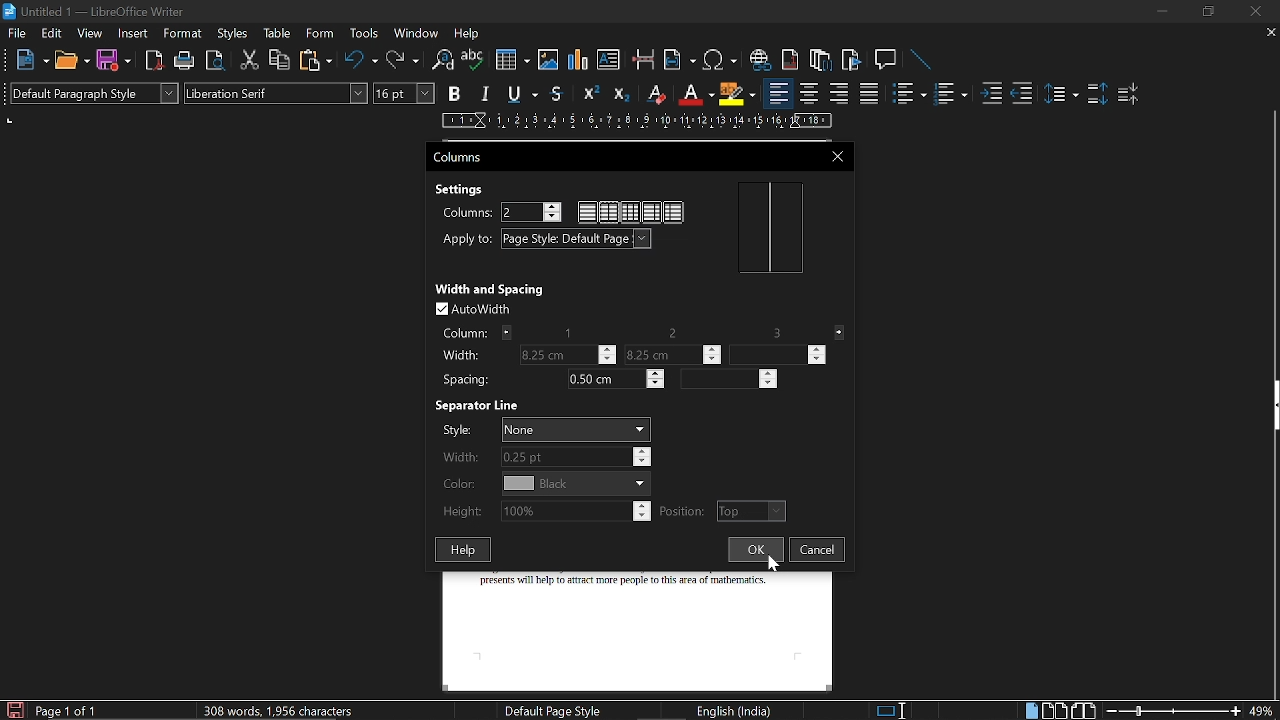 Image resolution: width=1280 pixels, height=720 pixels. What do you see at coordinates (822, 61) in the screenshot?
I see `Insert footnote` at bounding box center [822, 61].